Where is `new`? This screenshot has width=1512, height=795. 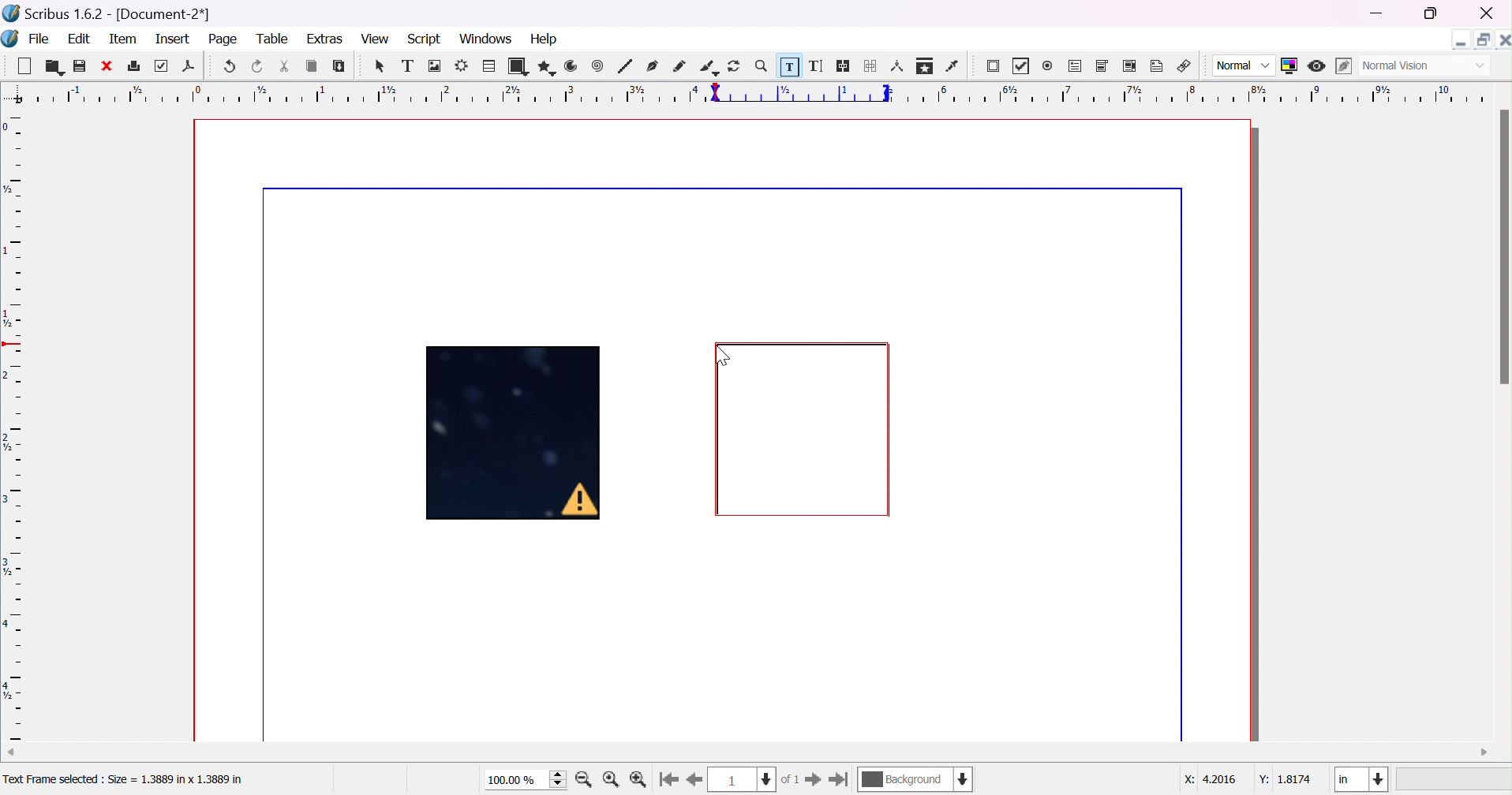
new is located at coordinates (22, 64).